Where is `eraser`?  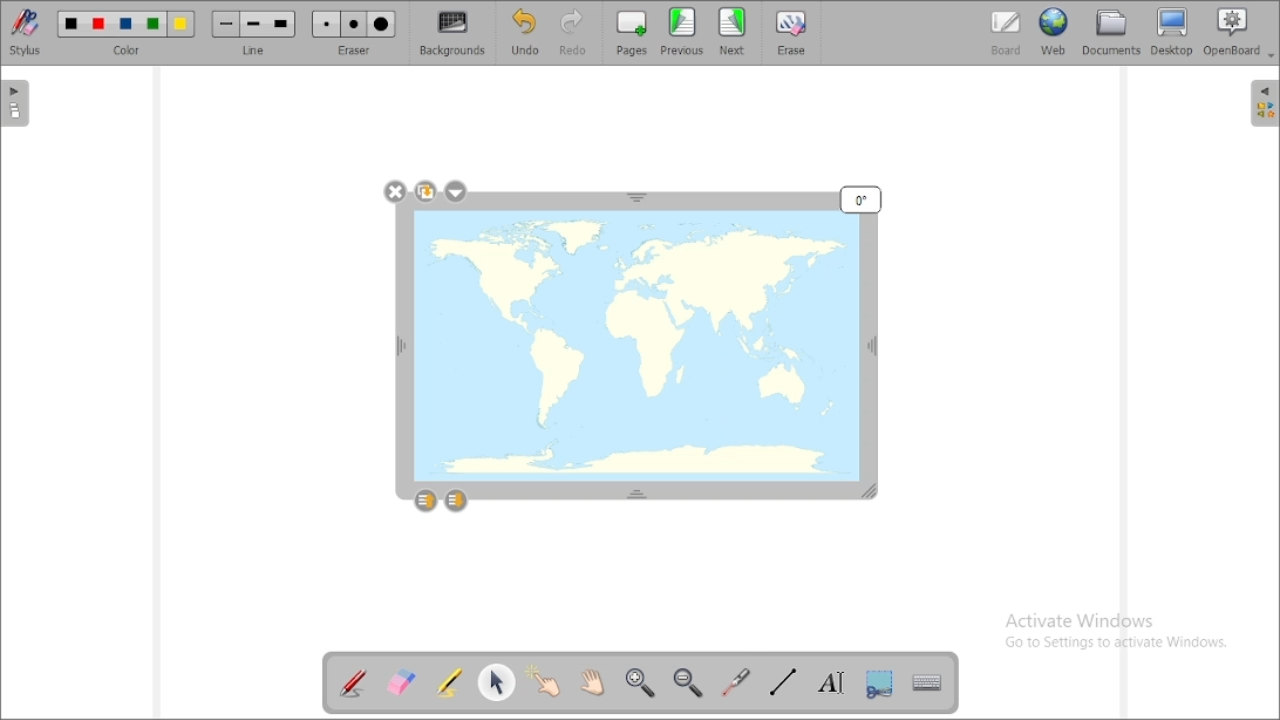
eraser is located at coordinates (354, 33).